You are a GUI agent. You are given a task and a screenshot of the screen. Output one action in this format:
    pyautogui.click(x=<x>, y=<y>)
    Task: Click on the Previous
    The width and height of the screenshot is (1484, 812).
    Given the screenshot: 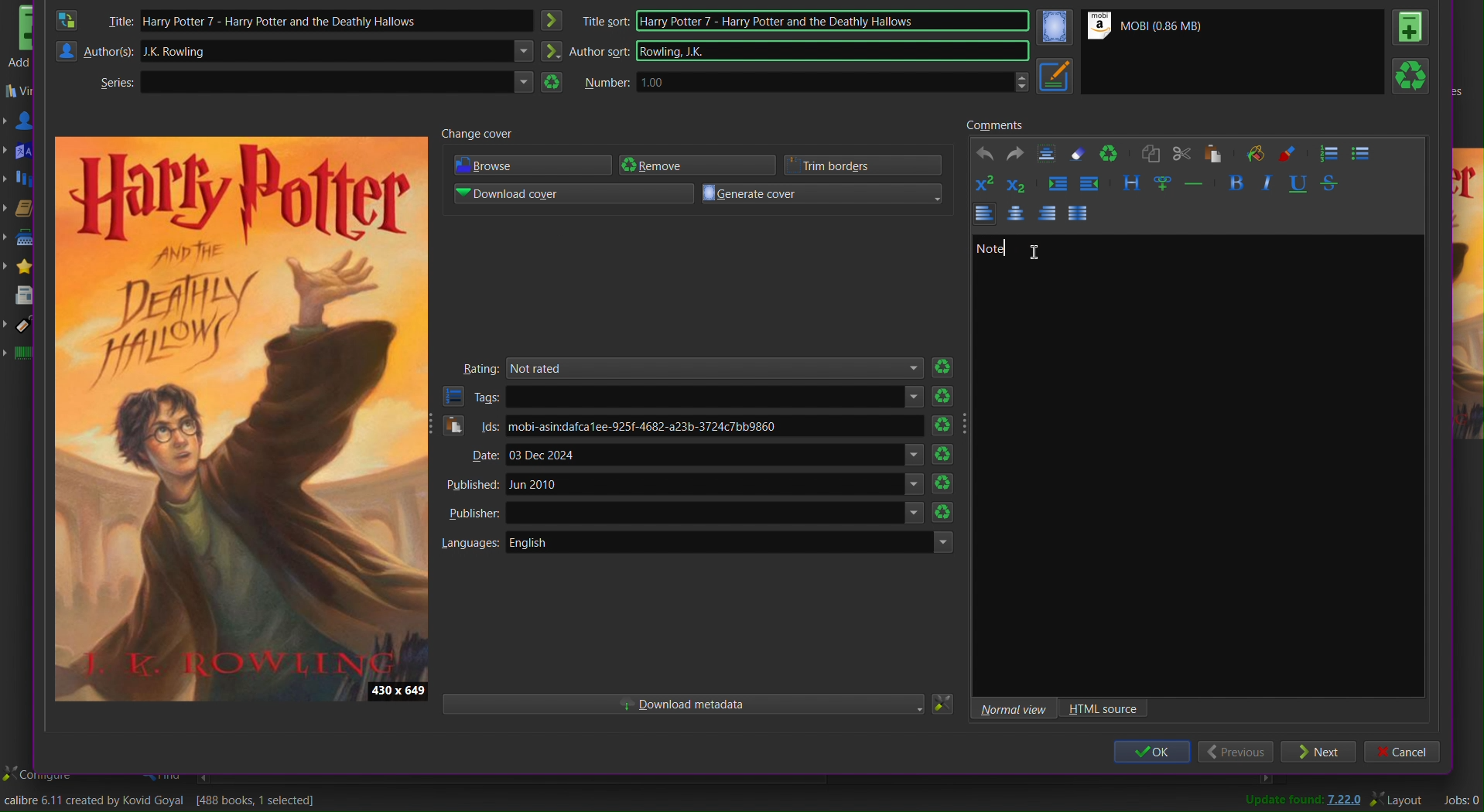 What is the action you would take?
    pyautogui.click(x=1237, y=753)
    